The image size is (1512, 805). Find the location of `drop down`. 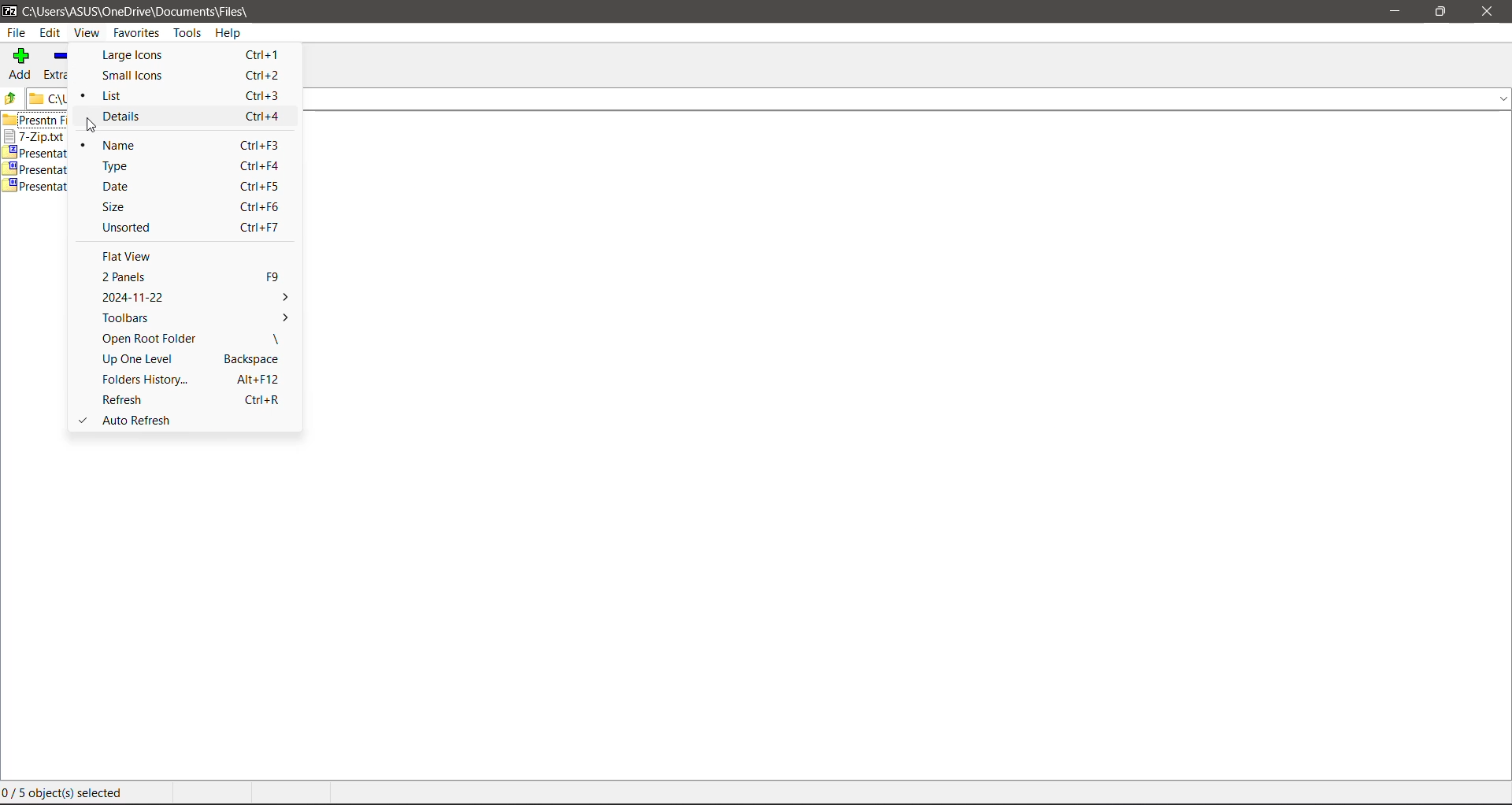

drop down is located at coordinates (1498, 100).